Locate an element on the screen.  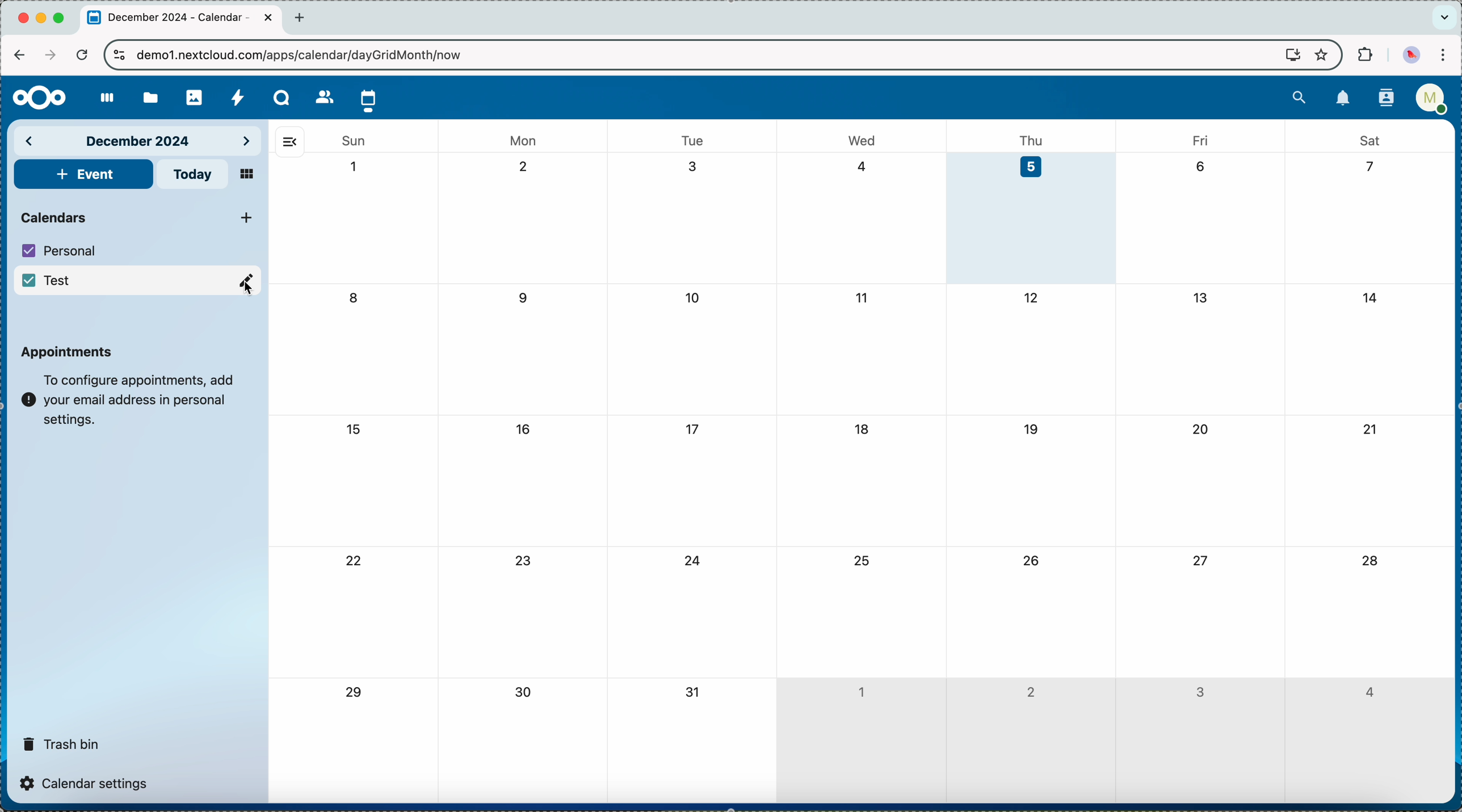
12 is located at coordinates (1032, 298).